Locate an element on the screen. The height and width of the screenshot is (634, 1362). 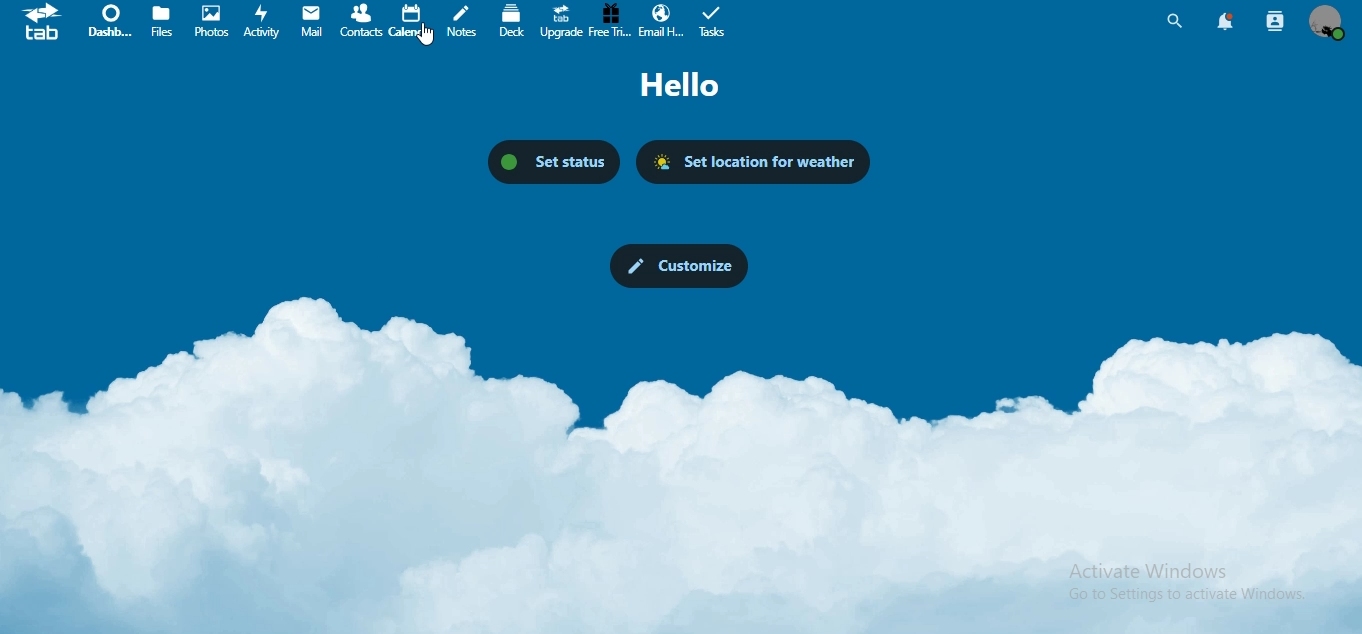
view profile is located at coordinates (1327, 22).